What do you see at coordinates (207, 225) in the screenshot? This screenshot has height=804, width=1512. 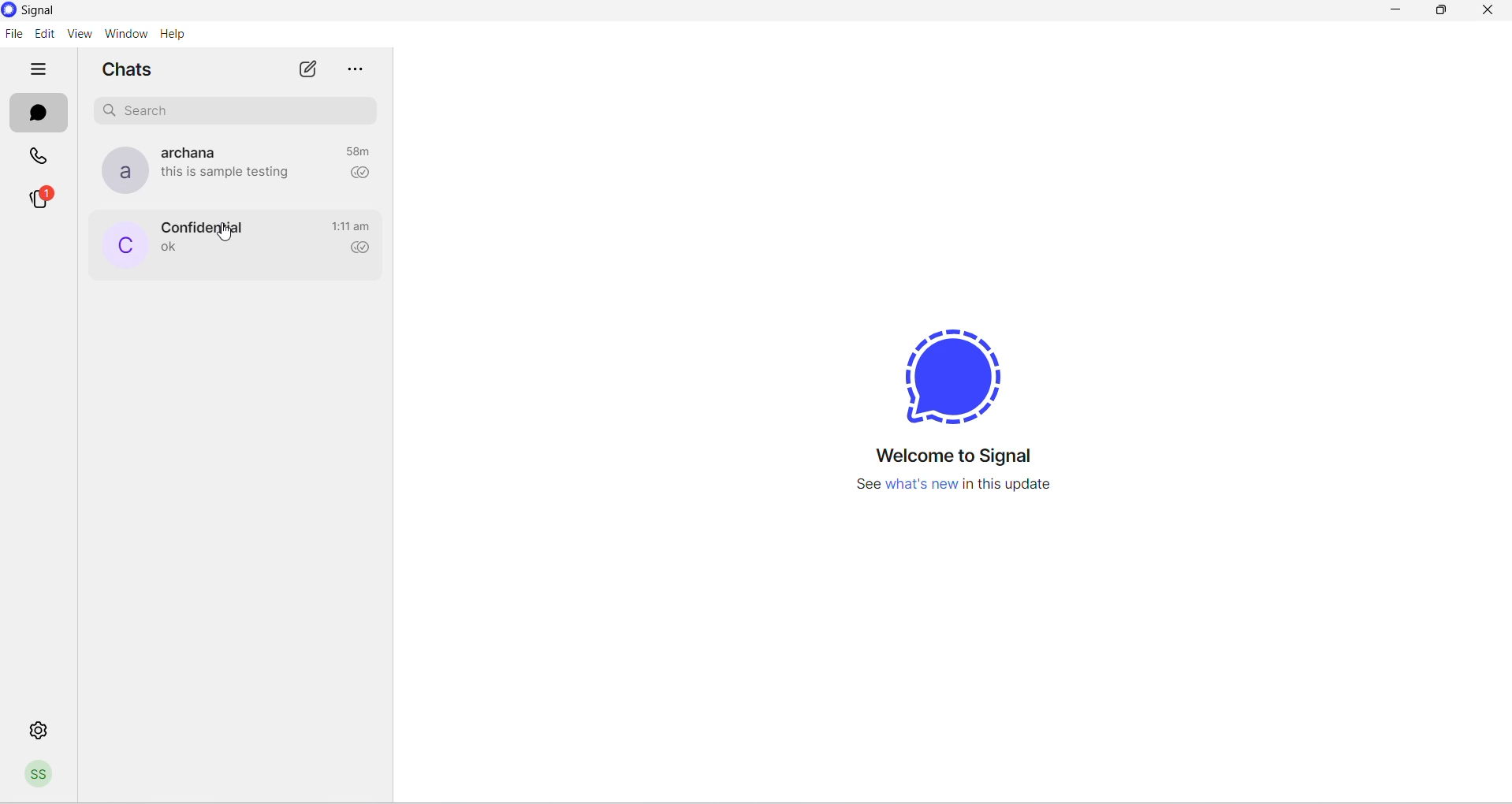 I see `contact name` at bounding box center [207, 225].